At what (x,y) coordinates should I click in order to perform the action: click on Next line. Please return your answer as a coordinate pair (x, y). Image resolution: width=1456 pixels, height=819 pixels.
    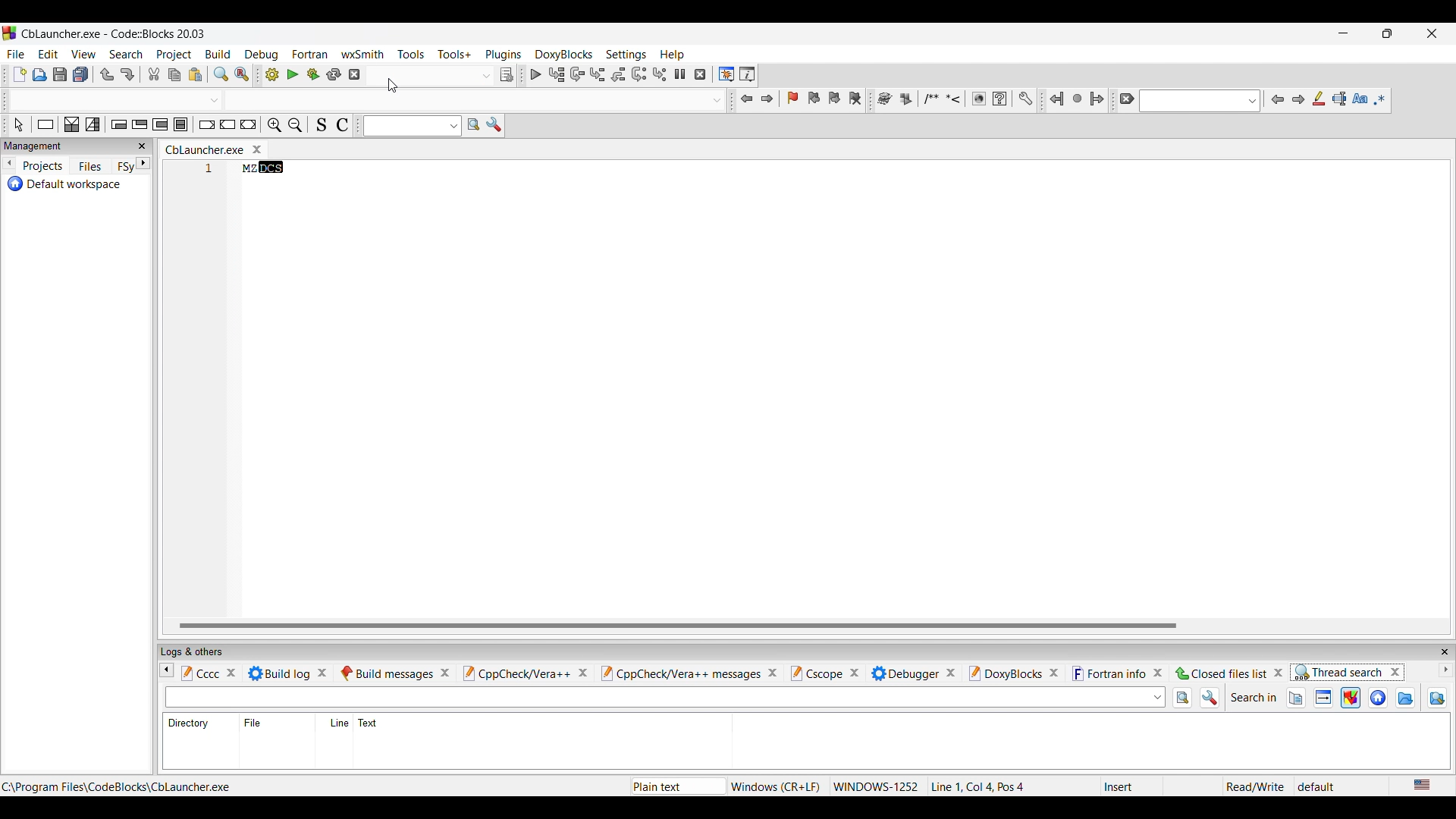
    Looking at the image, I should click on (578, 74).